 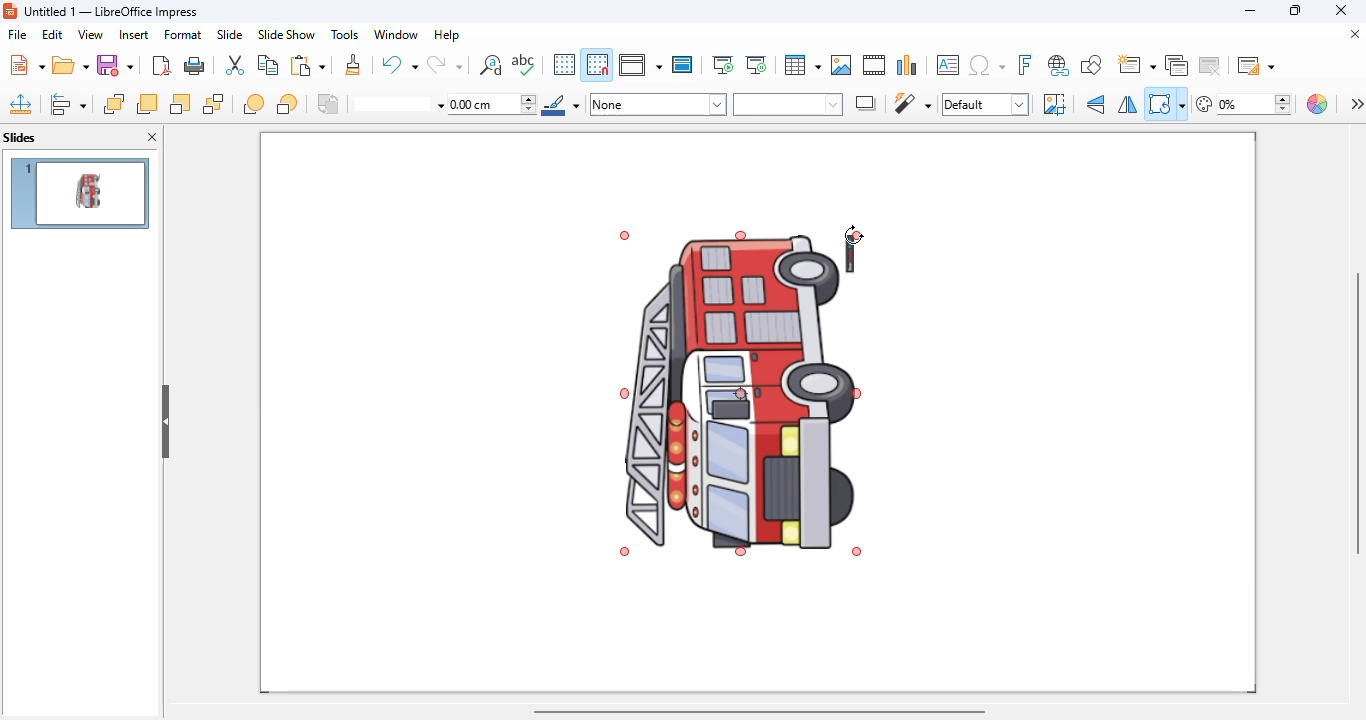 What do you see at coordinates (1097, 104) in the screenshot?
I see `vertically` at bounding box center [1097, 104].